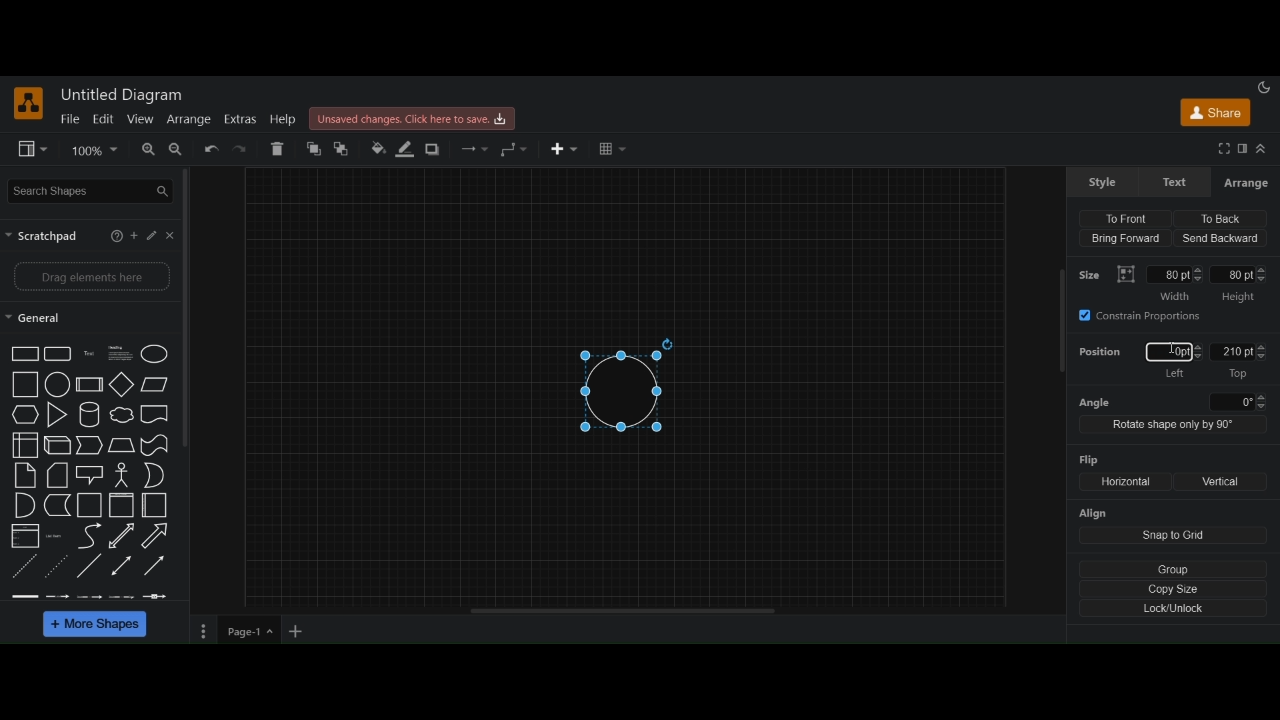 This screenshot has width=1280, height=720. What do you see at coordinates (1124, 240) in the screenshot?
I see `bring forward` at bounding box center [1124, 240].